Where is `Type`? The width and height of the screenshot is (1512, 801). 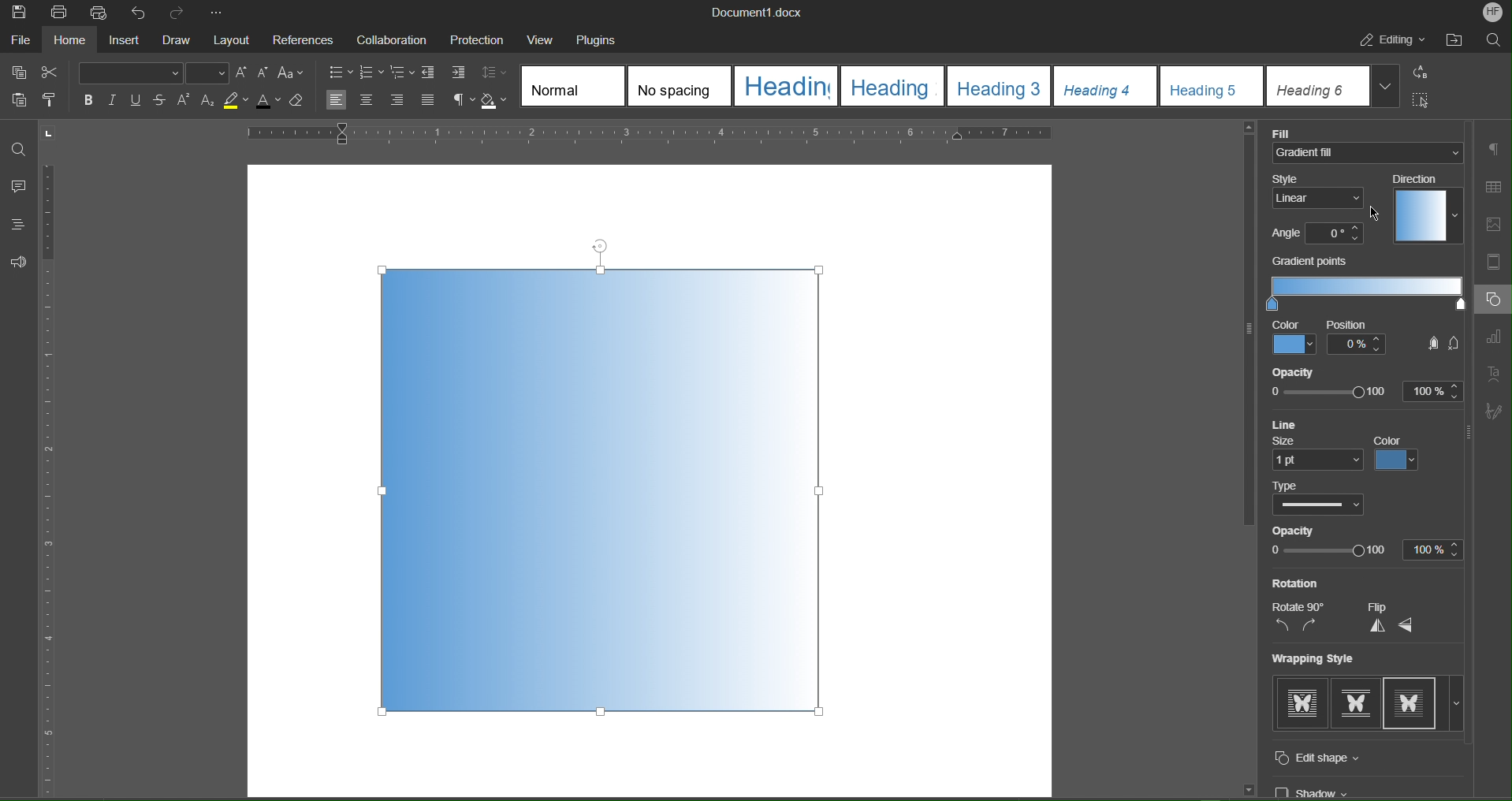 Type is located at coordinates (1300, 485).